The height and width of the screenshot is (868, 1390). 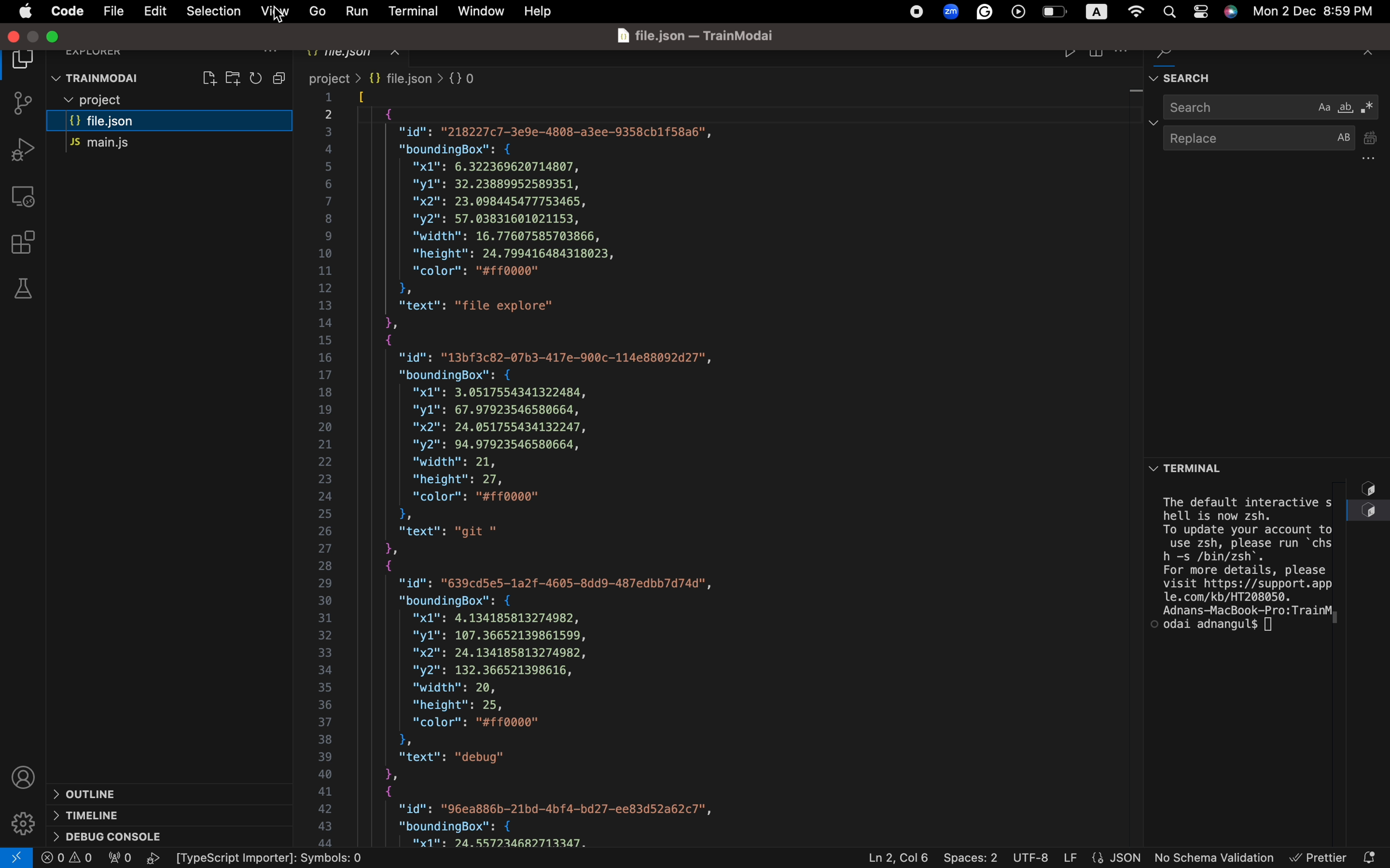 I want to click on , so click(x=154, y=12).